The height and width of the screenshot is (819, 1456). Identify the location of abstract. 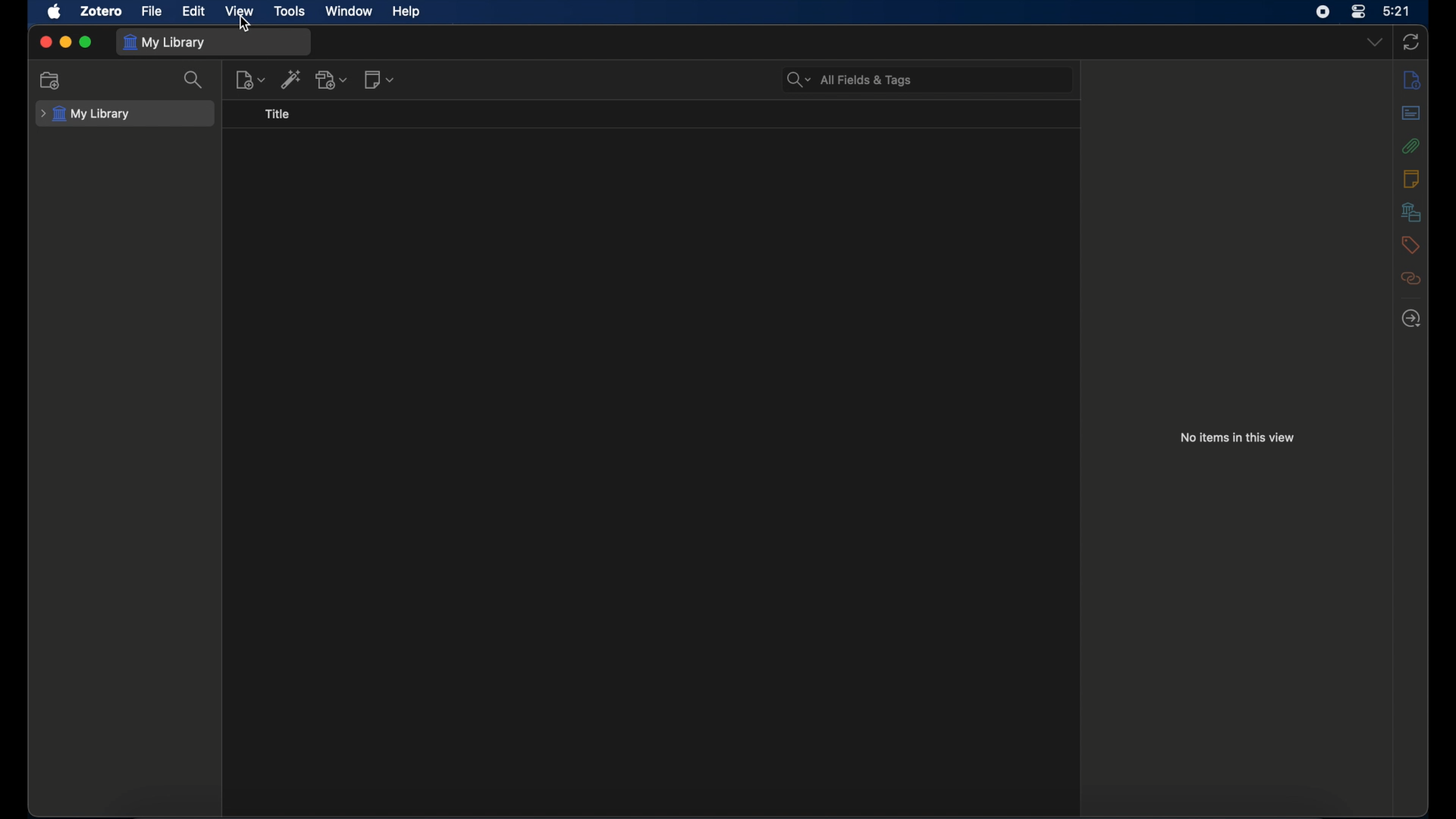
(1410, 112).